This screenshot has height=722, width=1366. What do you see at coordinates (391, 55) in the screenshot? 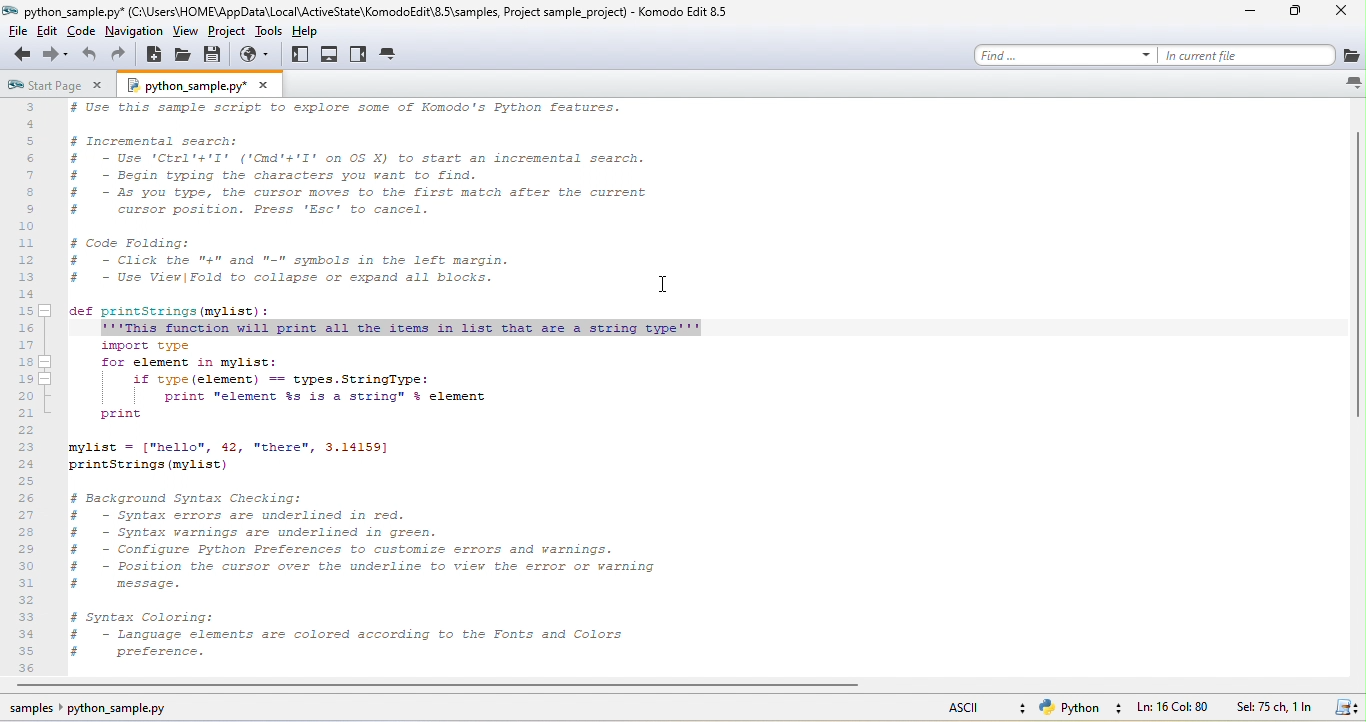
I see `tab` at bounding box center [391, 55].